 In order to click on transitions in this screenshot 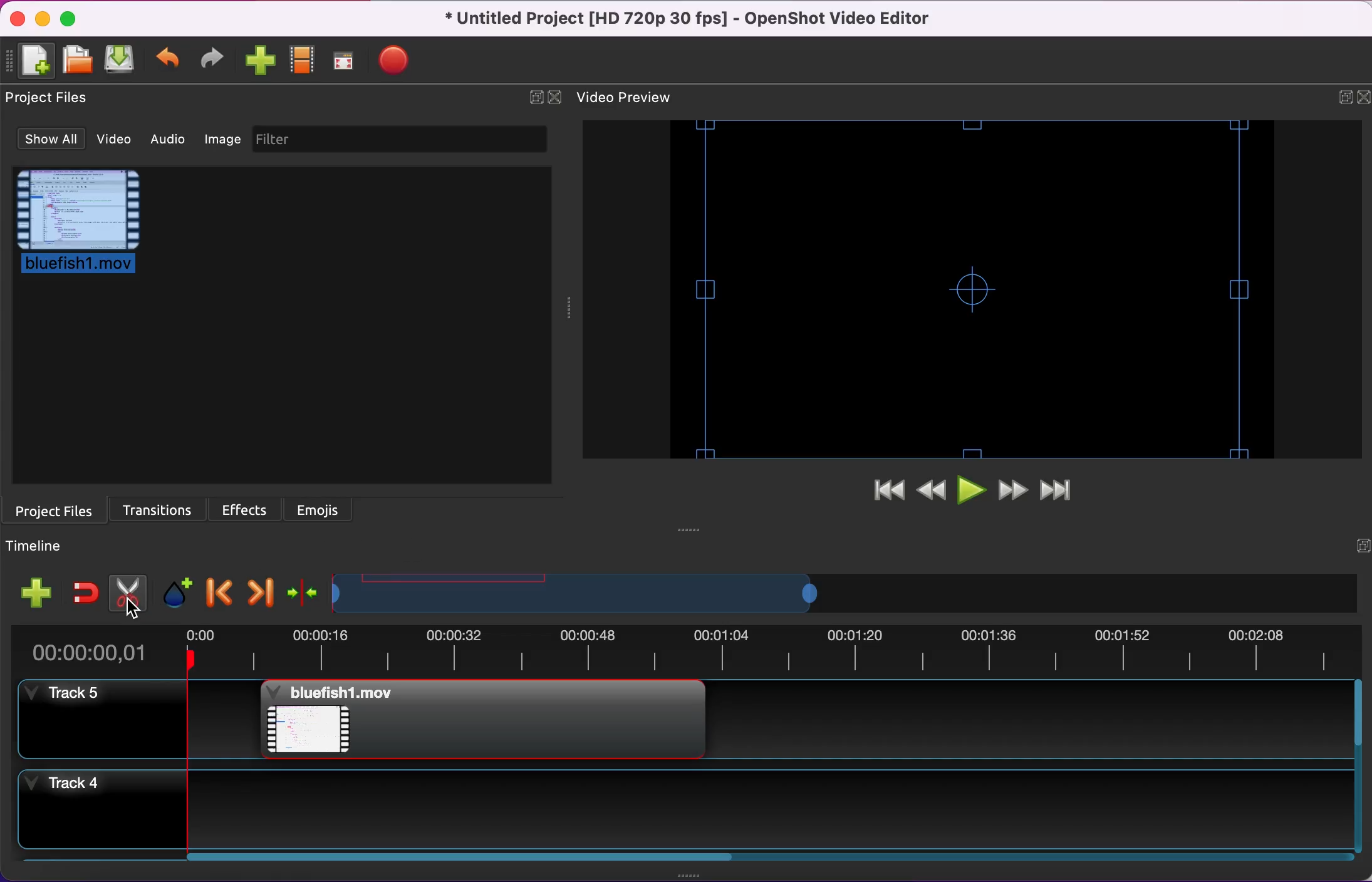, I will do `click(156, 509)`.